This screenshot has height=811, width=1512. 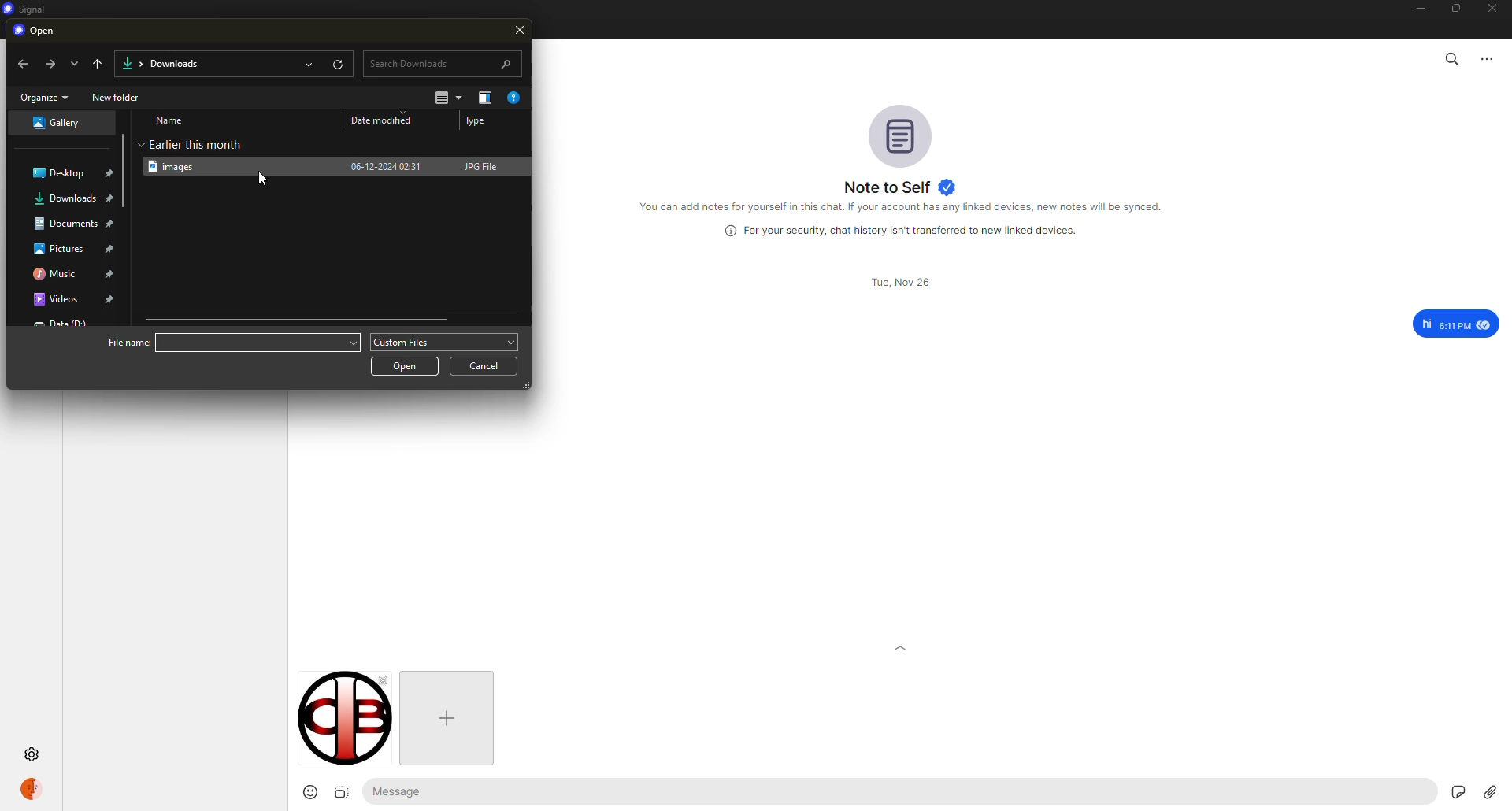 I want to click on date, so click(x=388, y=120).